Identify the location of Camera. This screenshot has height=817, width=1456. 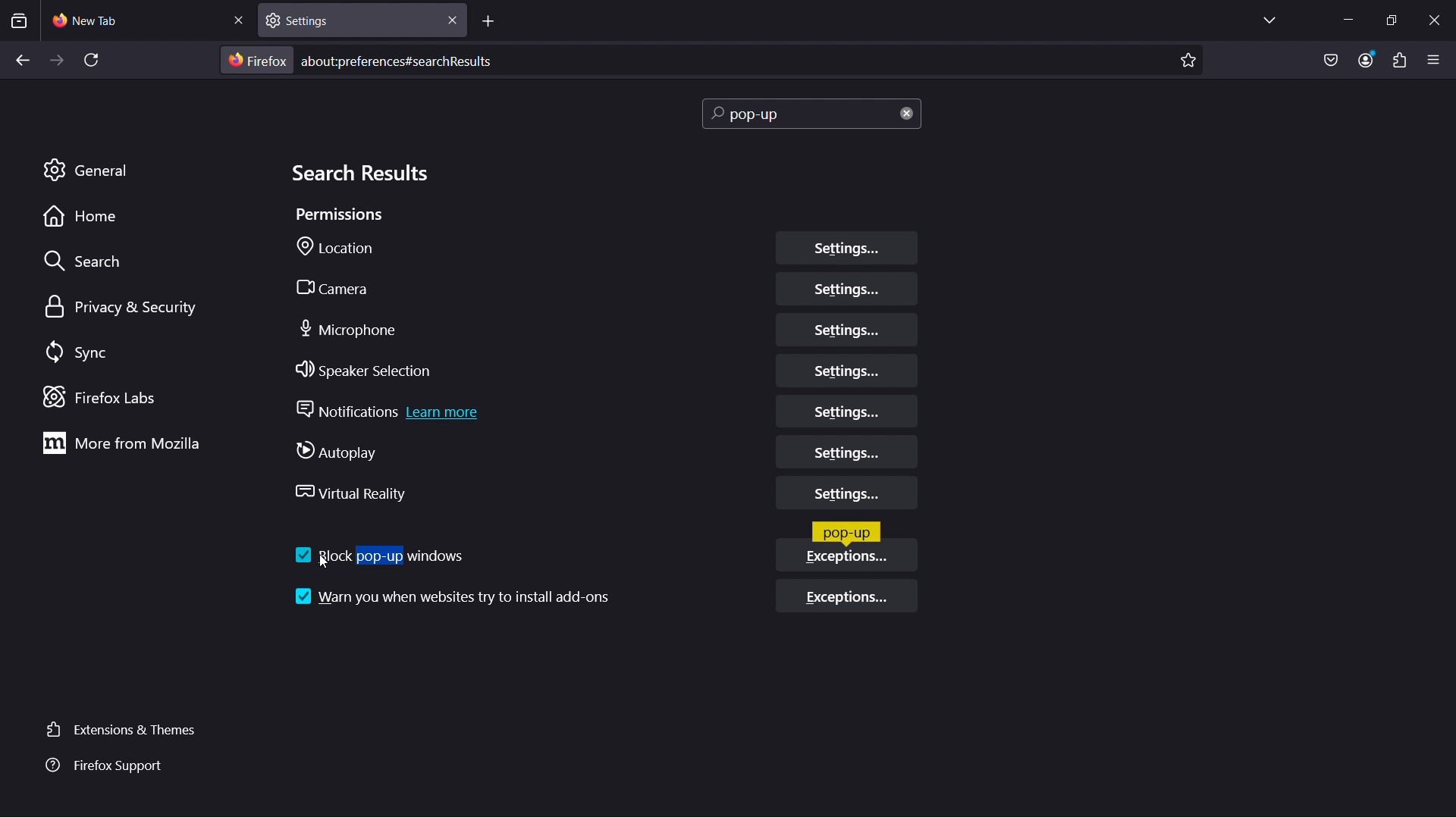
(344, 286).